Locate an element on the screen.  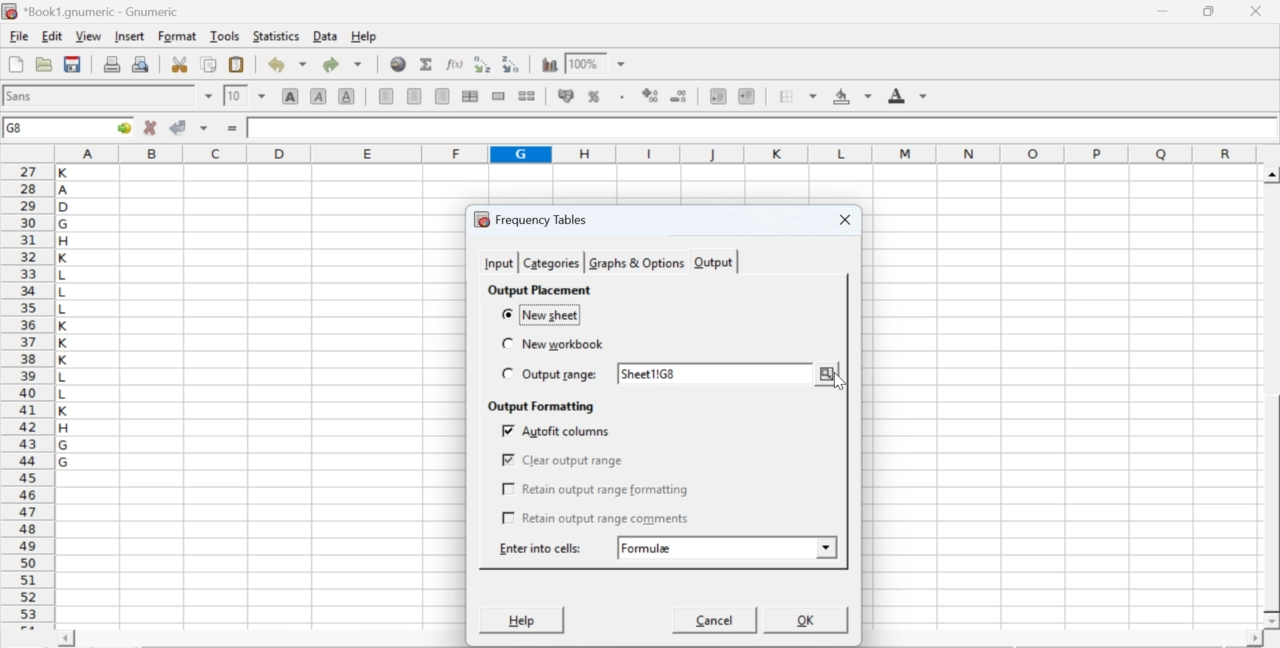
redo is located at coordinates (342, 64).